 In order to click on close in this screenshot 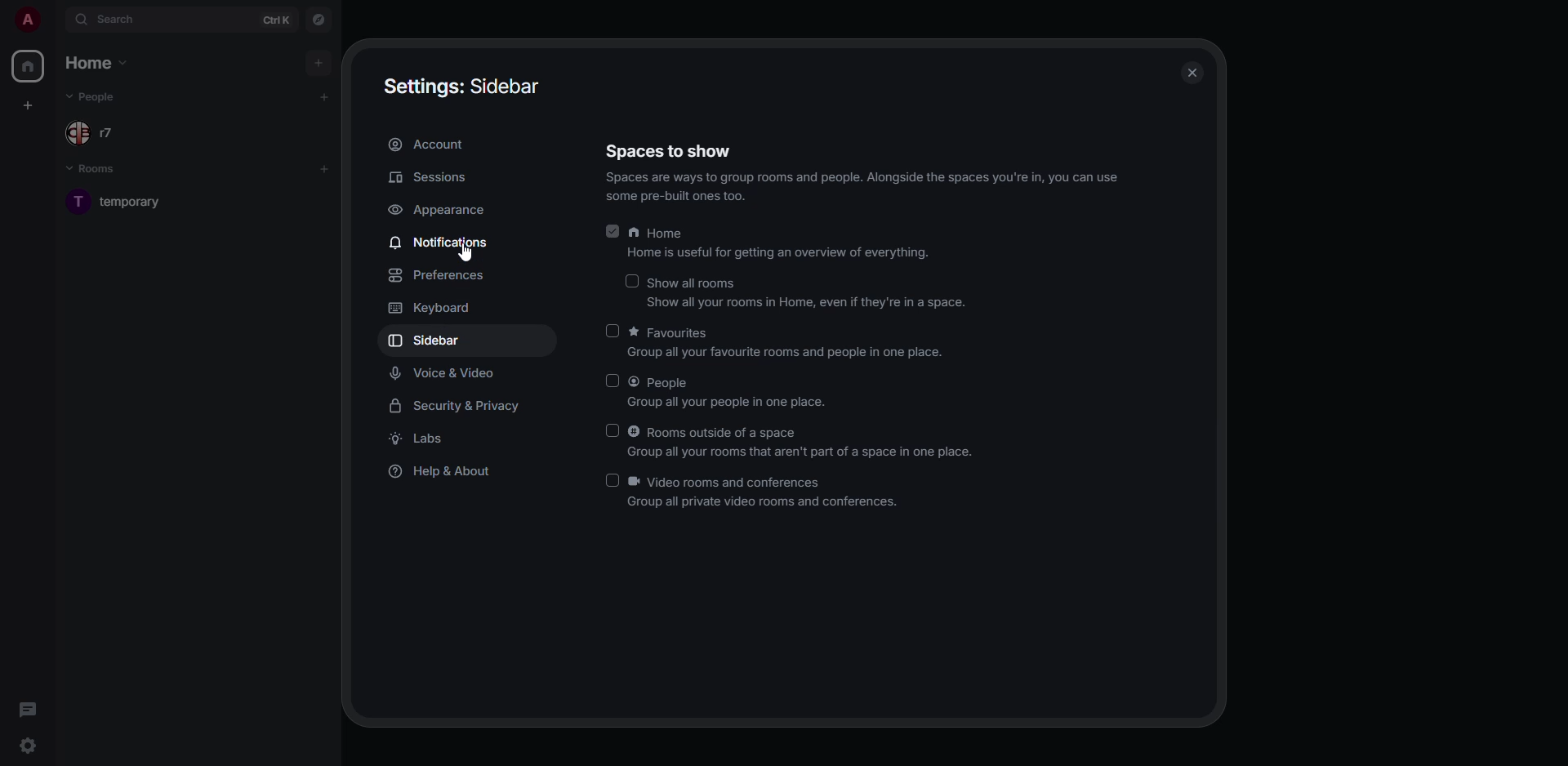, I will do `click(1191, 72)`.